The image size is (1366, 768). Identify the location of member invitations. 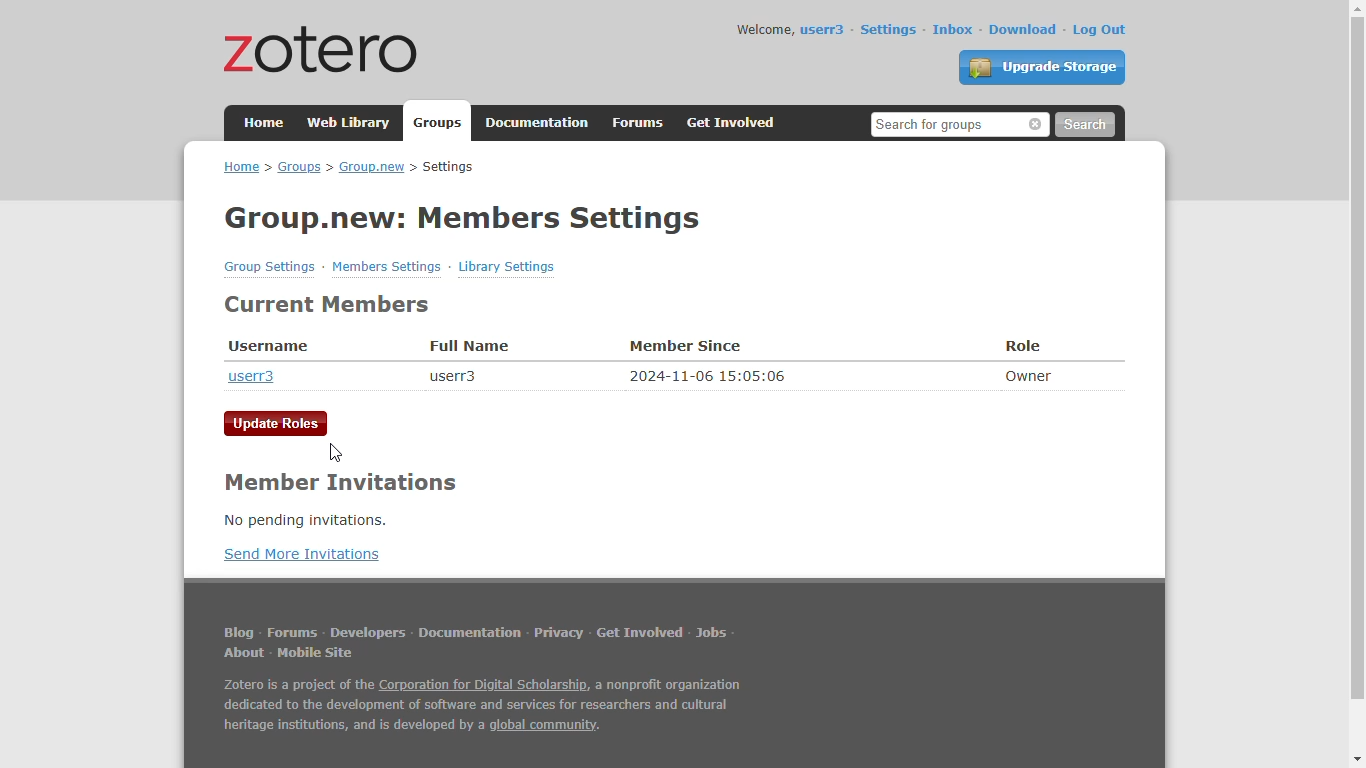
(338, 483).